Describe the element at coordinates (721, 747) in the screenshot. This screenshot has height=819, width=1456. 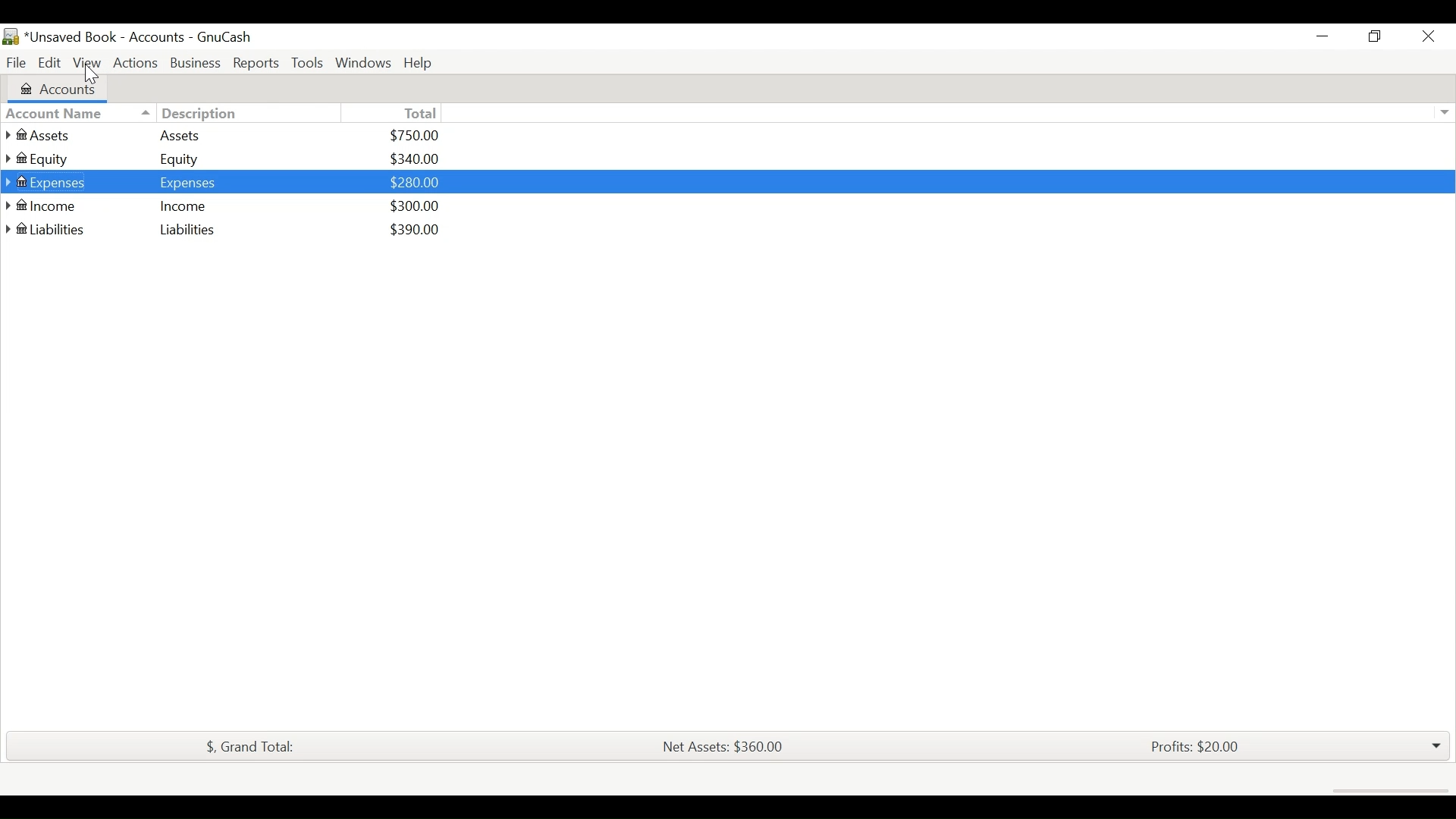
I see `Net Assets` at that location.